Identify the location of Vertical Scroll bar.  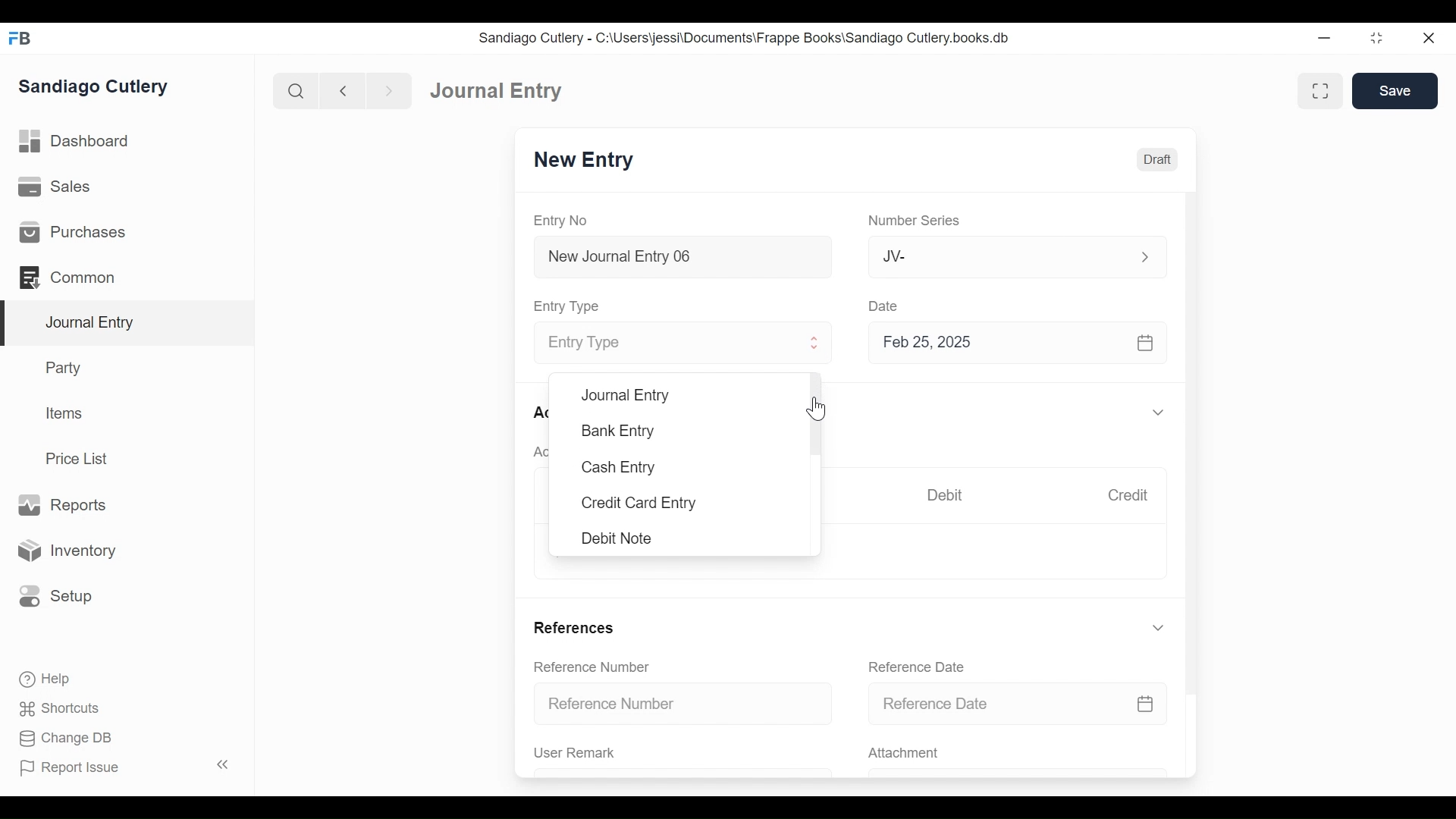
(1193, 431).